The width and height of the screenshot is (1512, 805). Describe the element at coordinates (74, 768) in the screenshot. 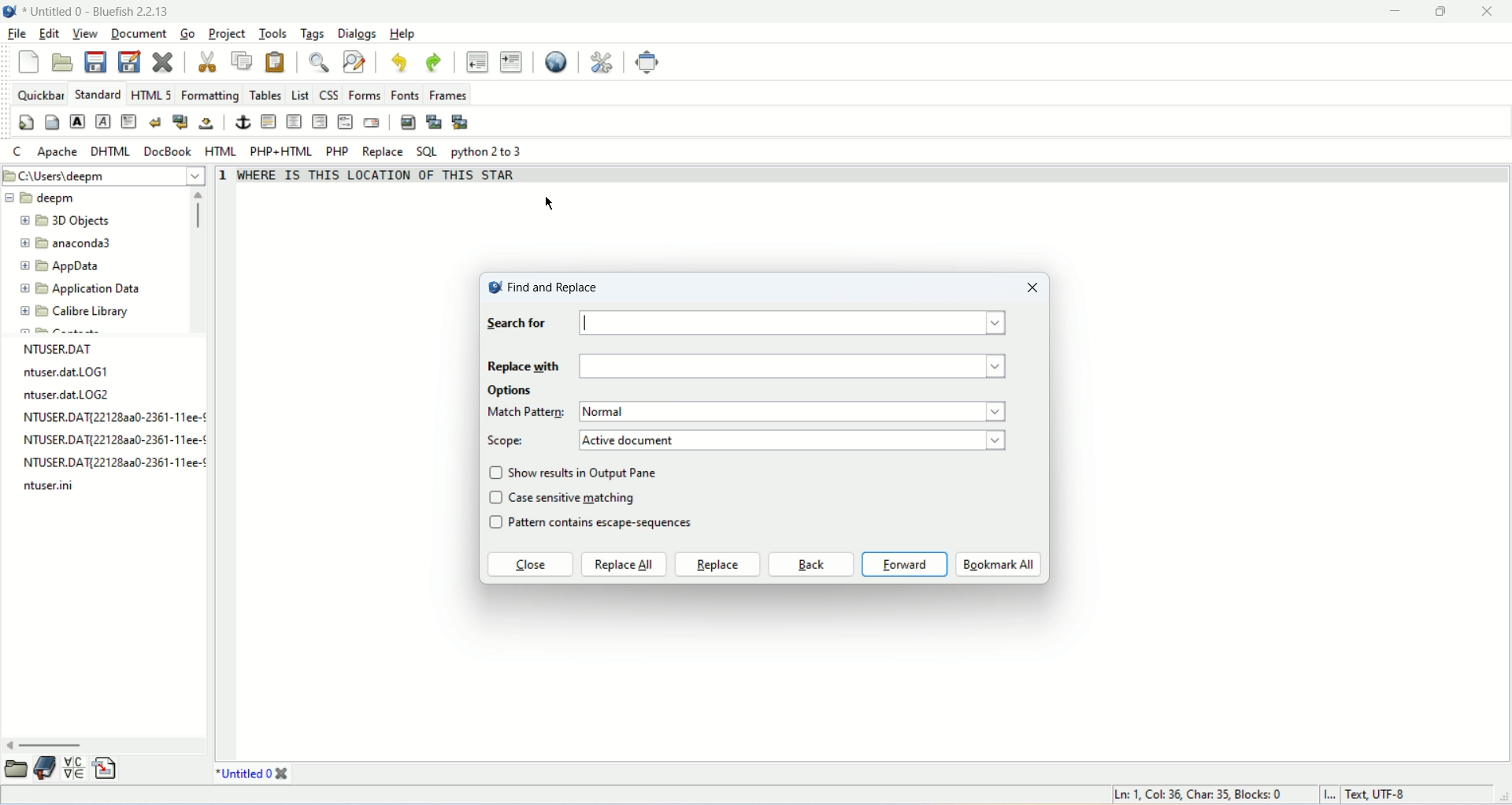

I see `char map` at that location.